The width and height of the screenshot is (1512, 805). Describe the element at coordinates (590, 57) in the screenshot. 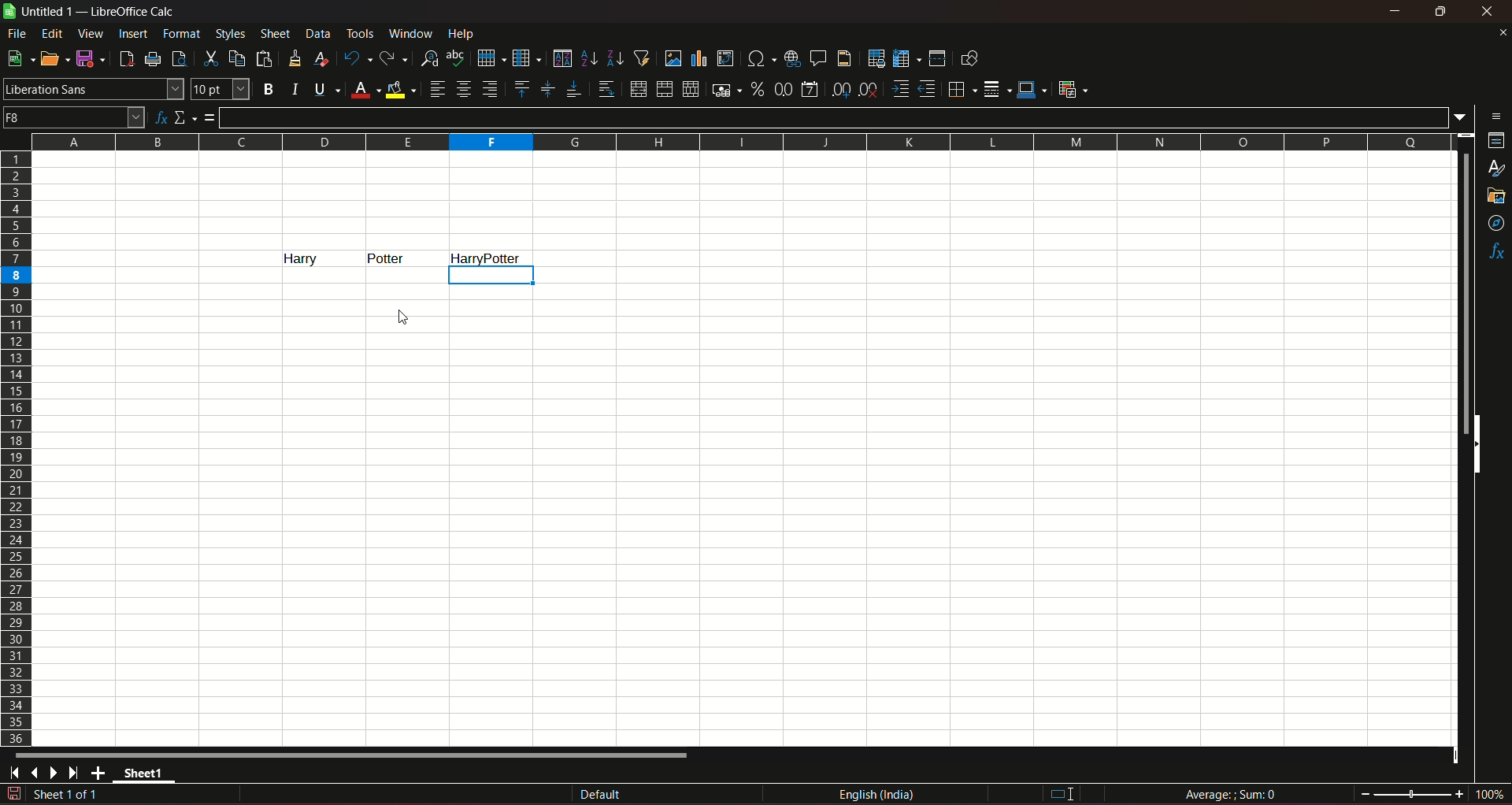

I see `sort ascending` at that location.